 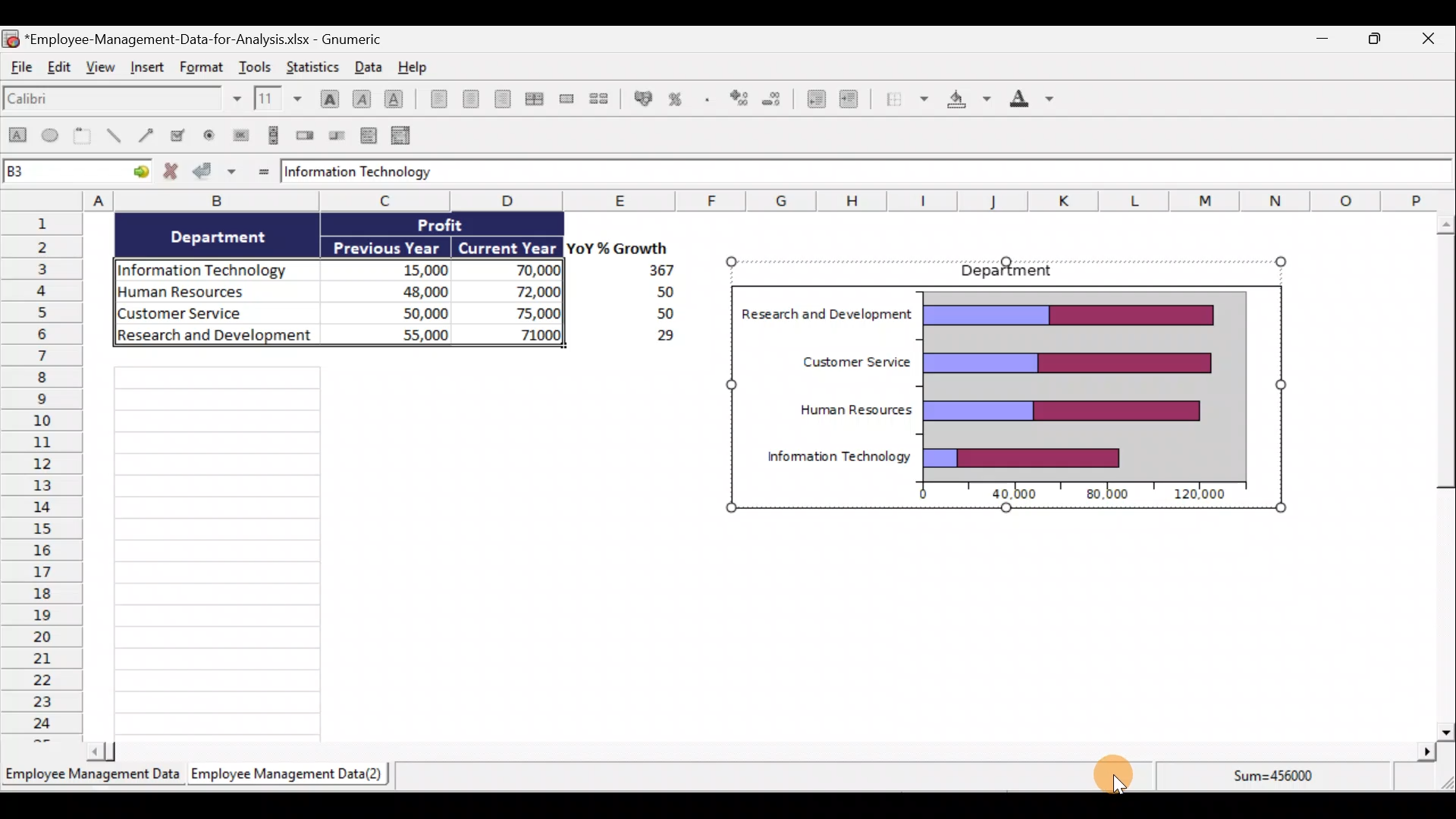 I want to click on Close, so click(x=1432, y=39).